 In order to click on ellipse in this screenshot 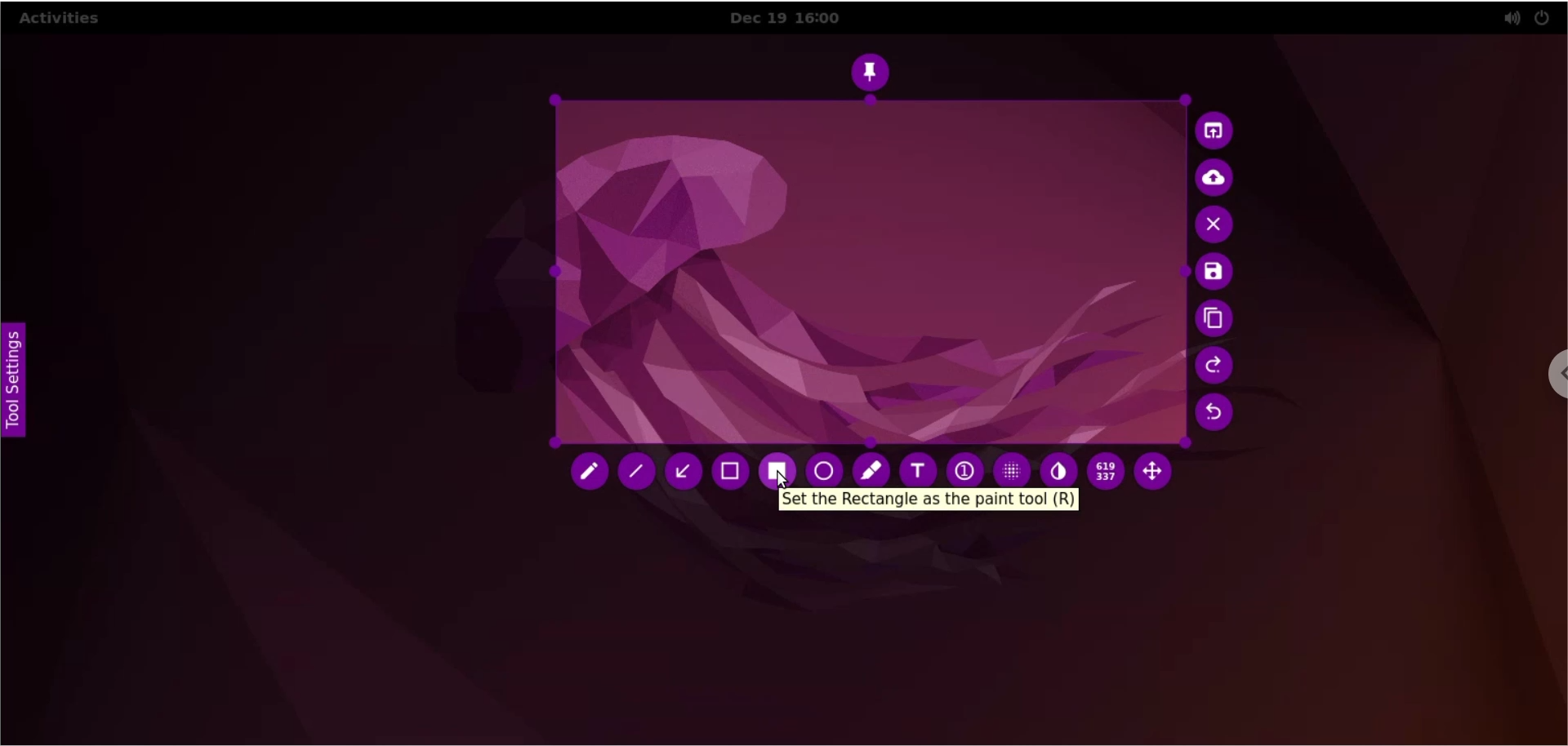, I will do `click(826, 466)`.